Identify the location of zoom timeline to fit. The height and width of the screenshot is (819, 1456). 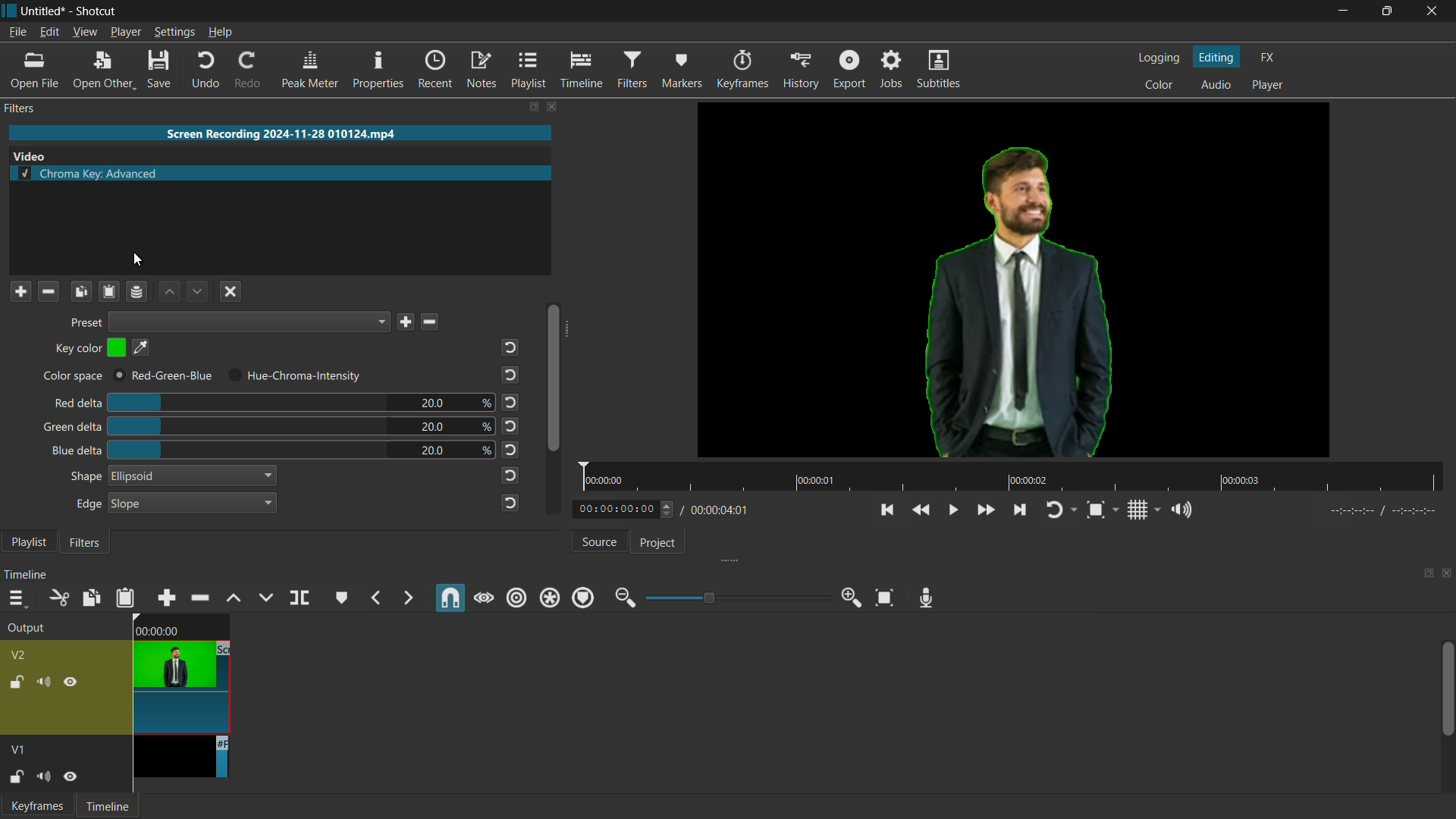
(883, 598).